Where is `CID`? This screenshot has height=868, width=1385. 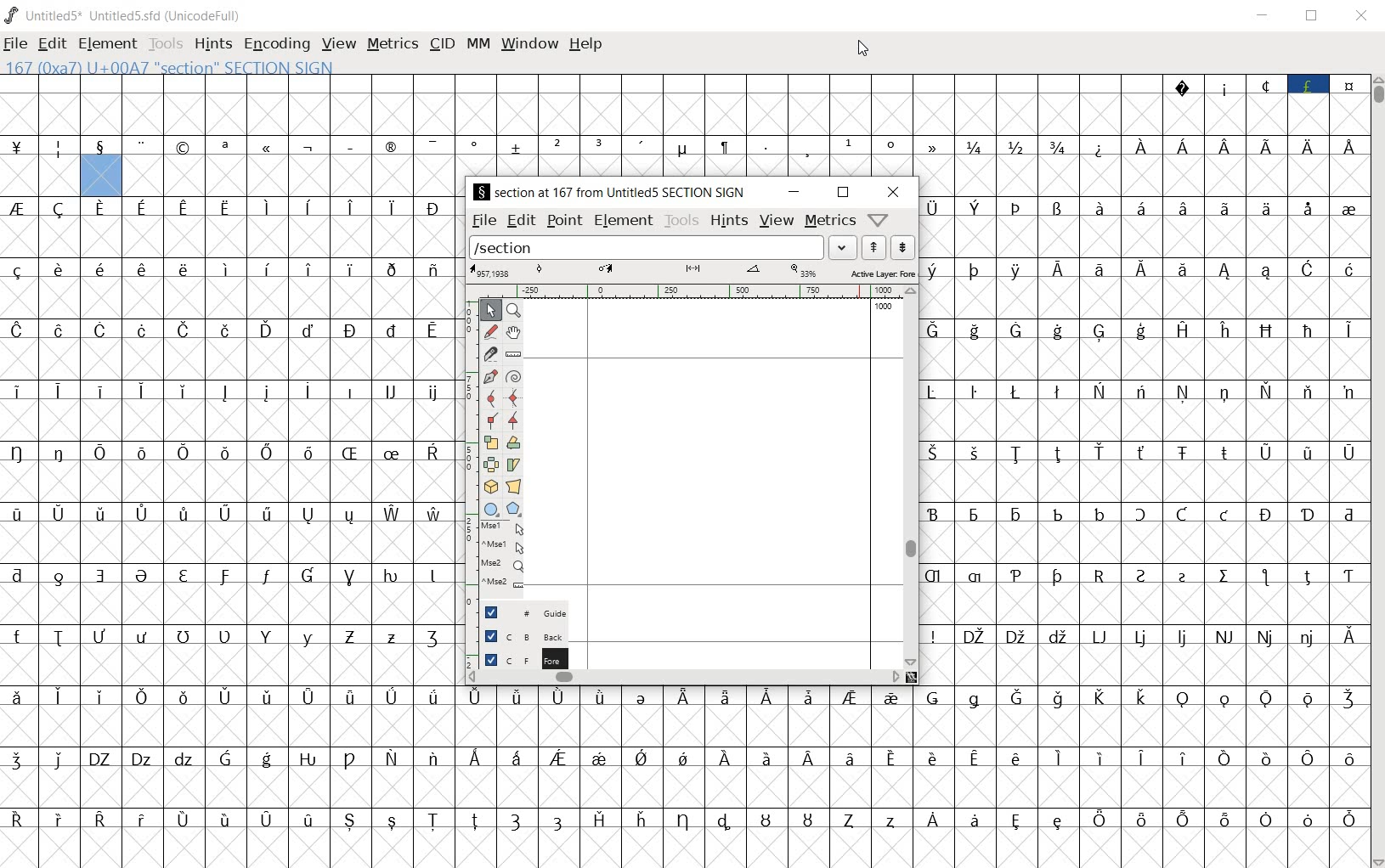
CID is located at coordinates (442, 44).